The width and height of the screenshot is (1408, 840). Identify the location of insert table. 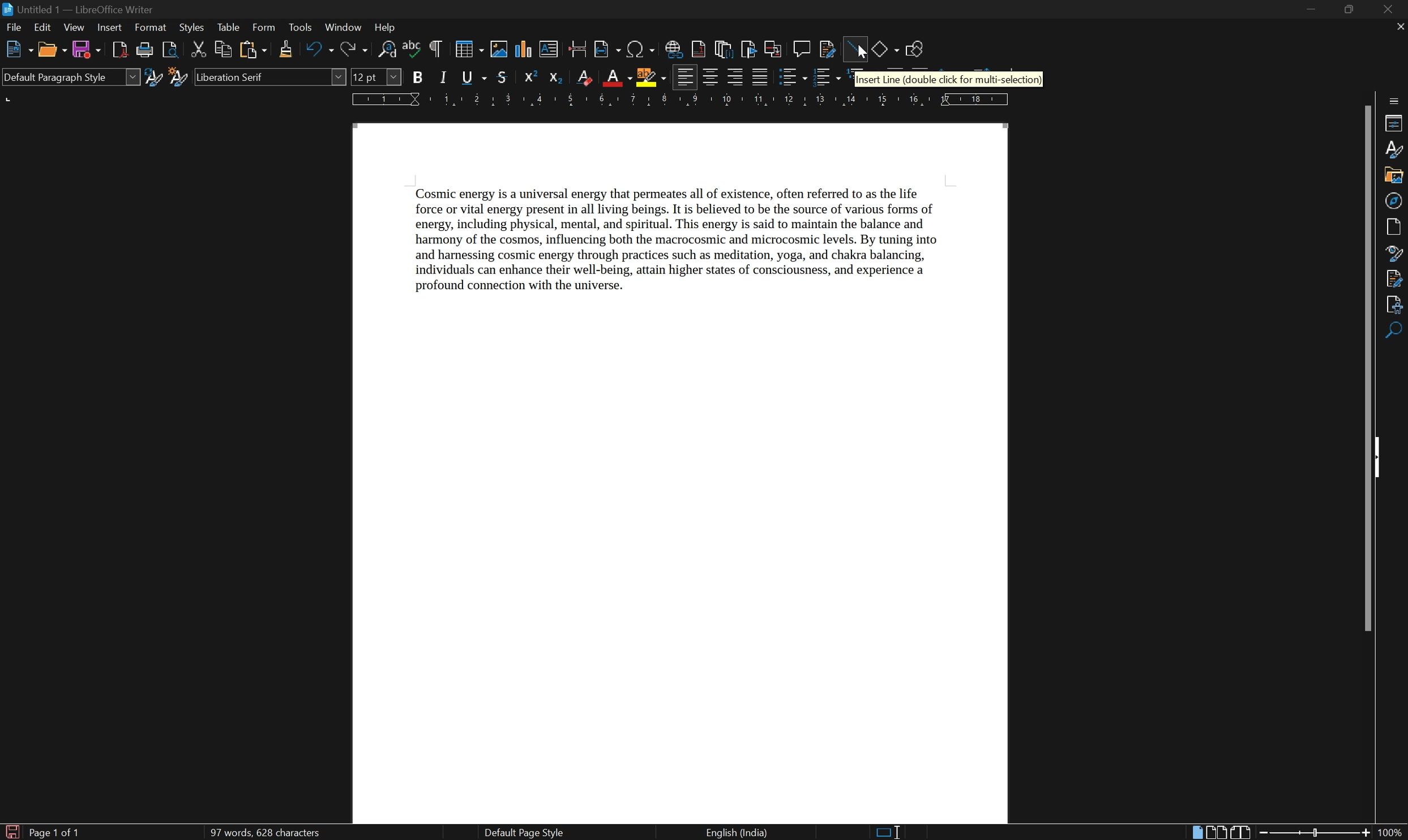
(468, 49).